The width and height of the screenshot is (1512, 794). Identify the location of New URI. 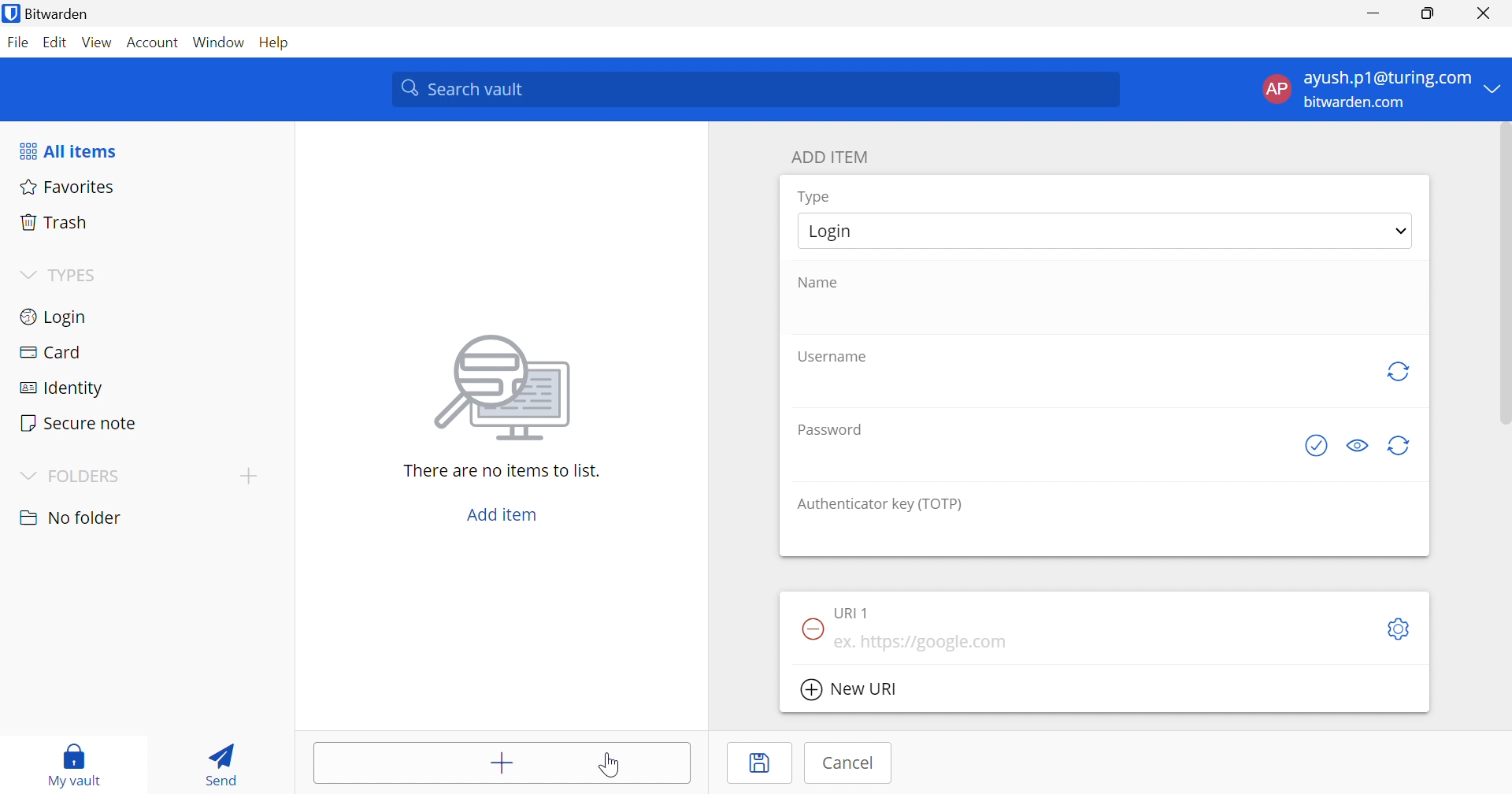
(848, 689).